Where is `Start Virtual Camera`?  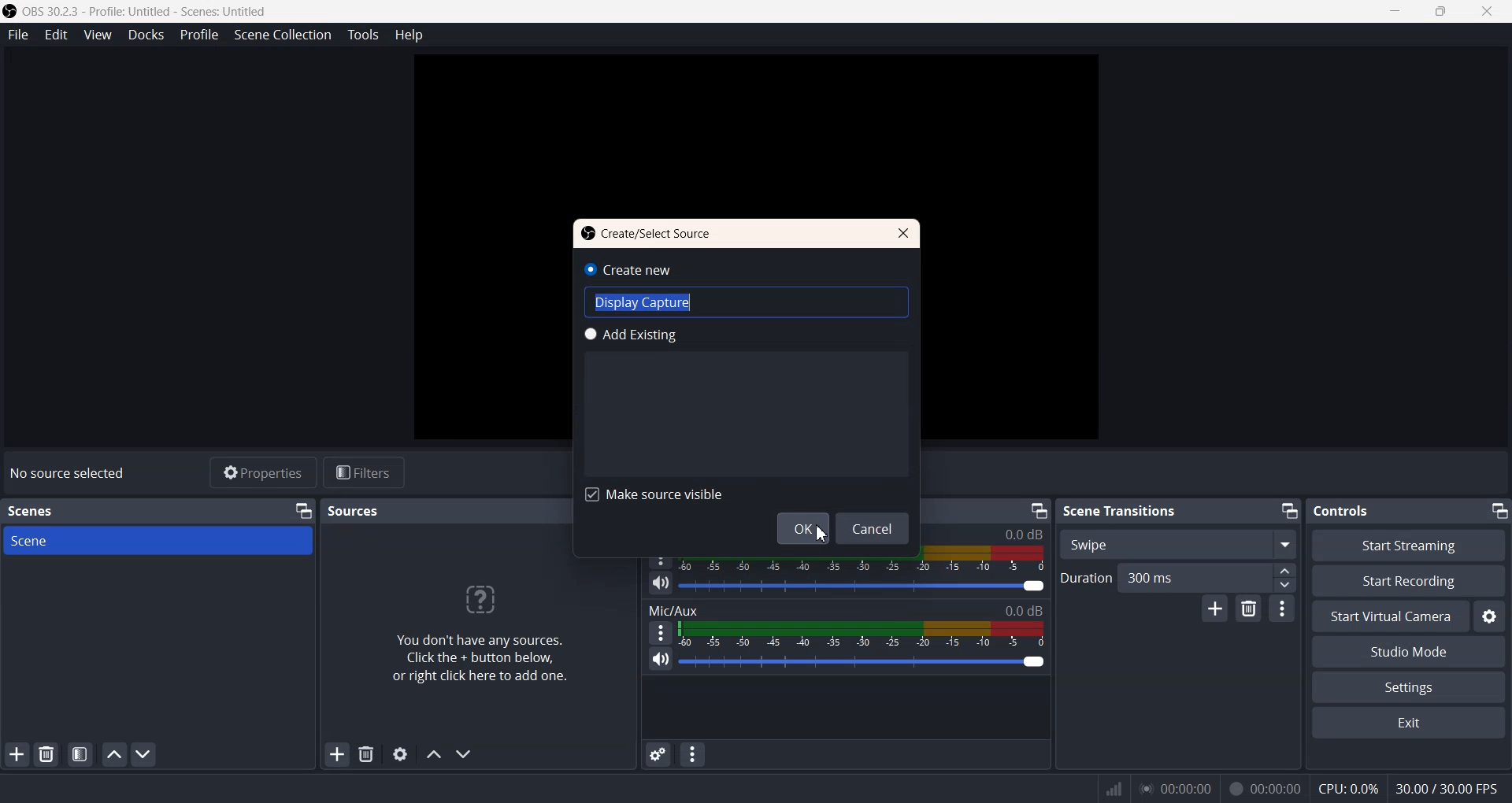 Start Virtual Camera is located at coordinates (1390, 616).